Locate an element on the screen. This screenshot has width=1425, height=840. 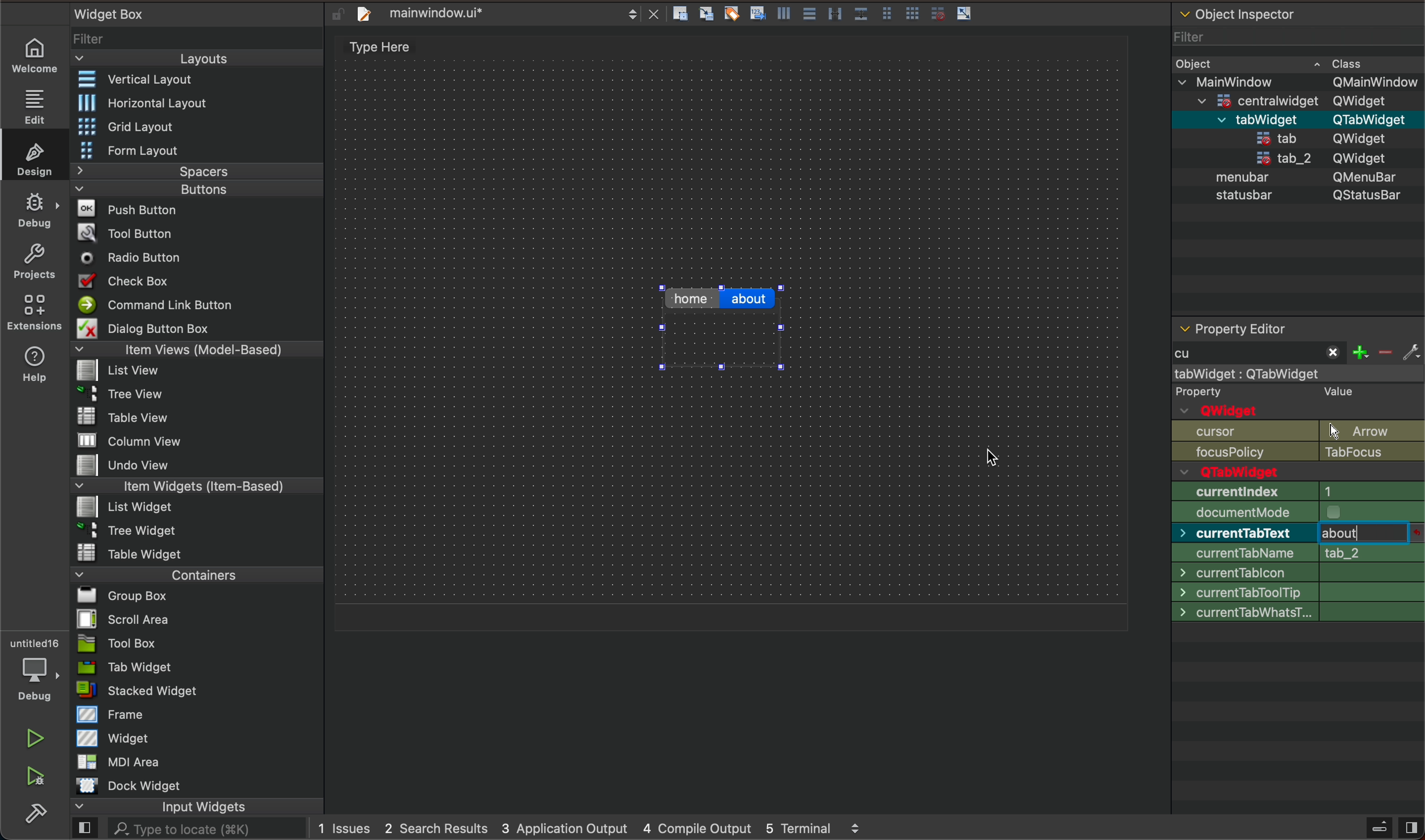
statusbar is located at coordinates (1247, 198).